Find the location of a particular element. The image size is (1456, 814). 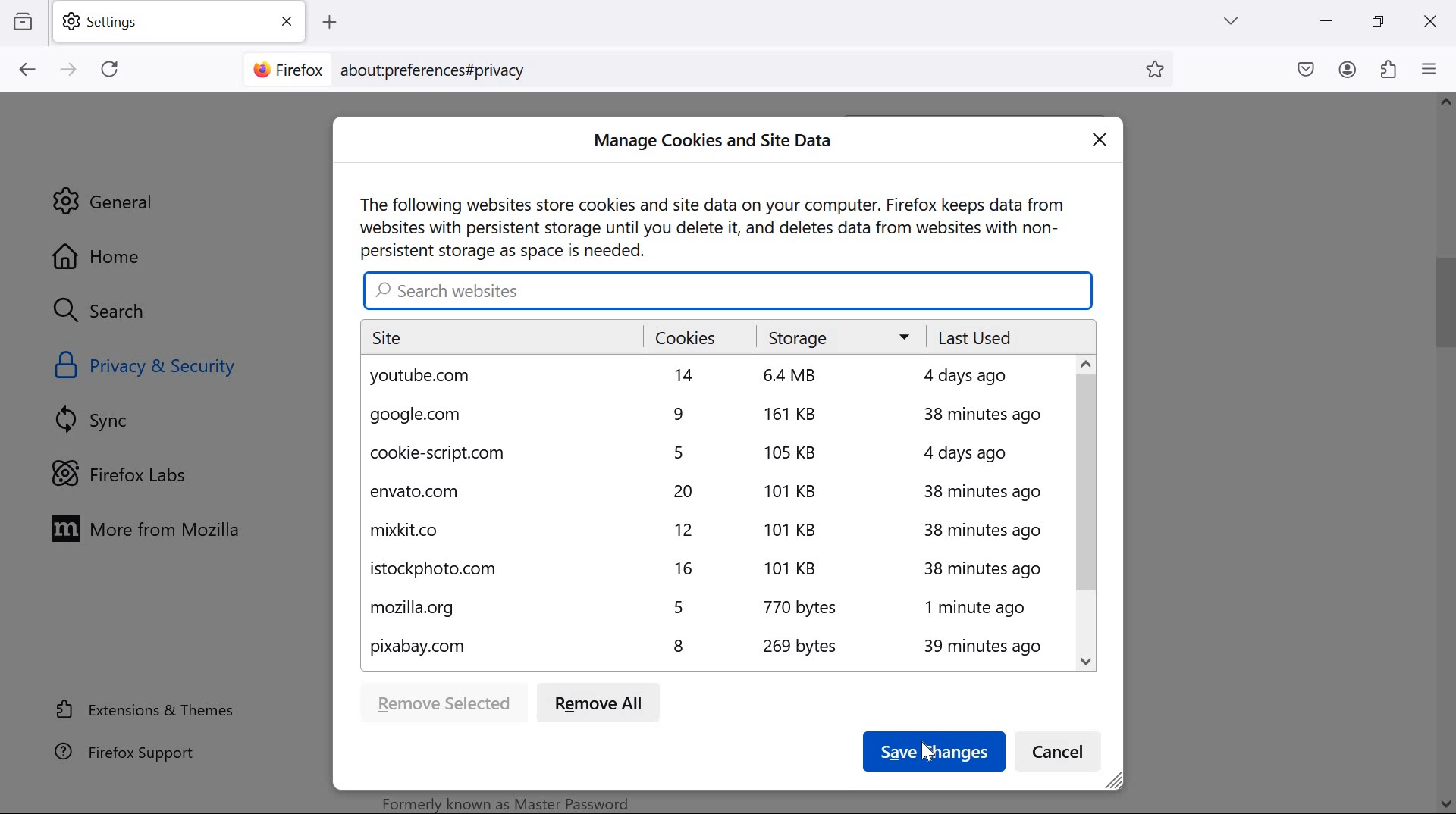

Firefox Labs is located at coordinates (132, 472).